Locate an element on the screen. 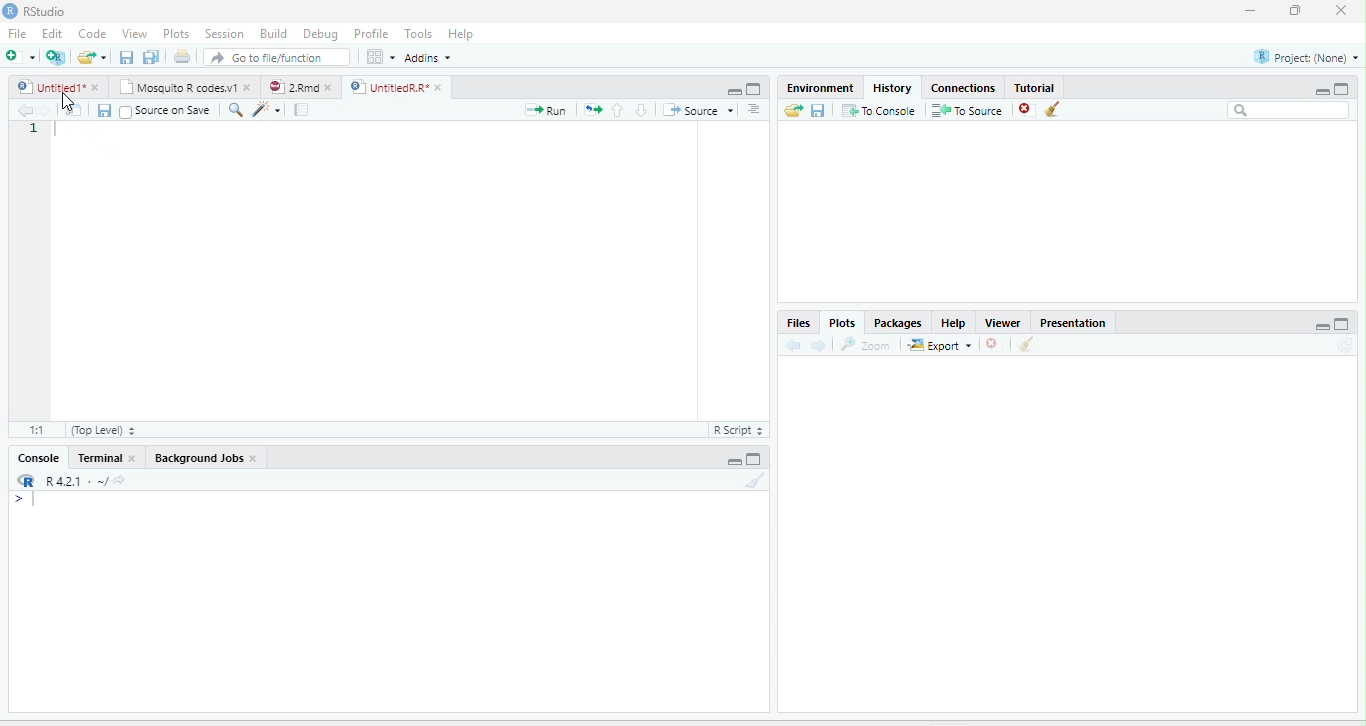 This screenshot has height=726, width=1366. Go to file/function is located at coordinates (277, 57).